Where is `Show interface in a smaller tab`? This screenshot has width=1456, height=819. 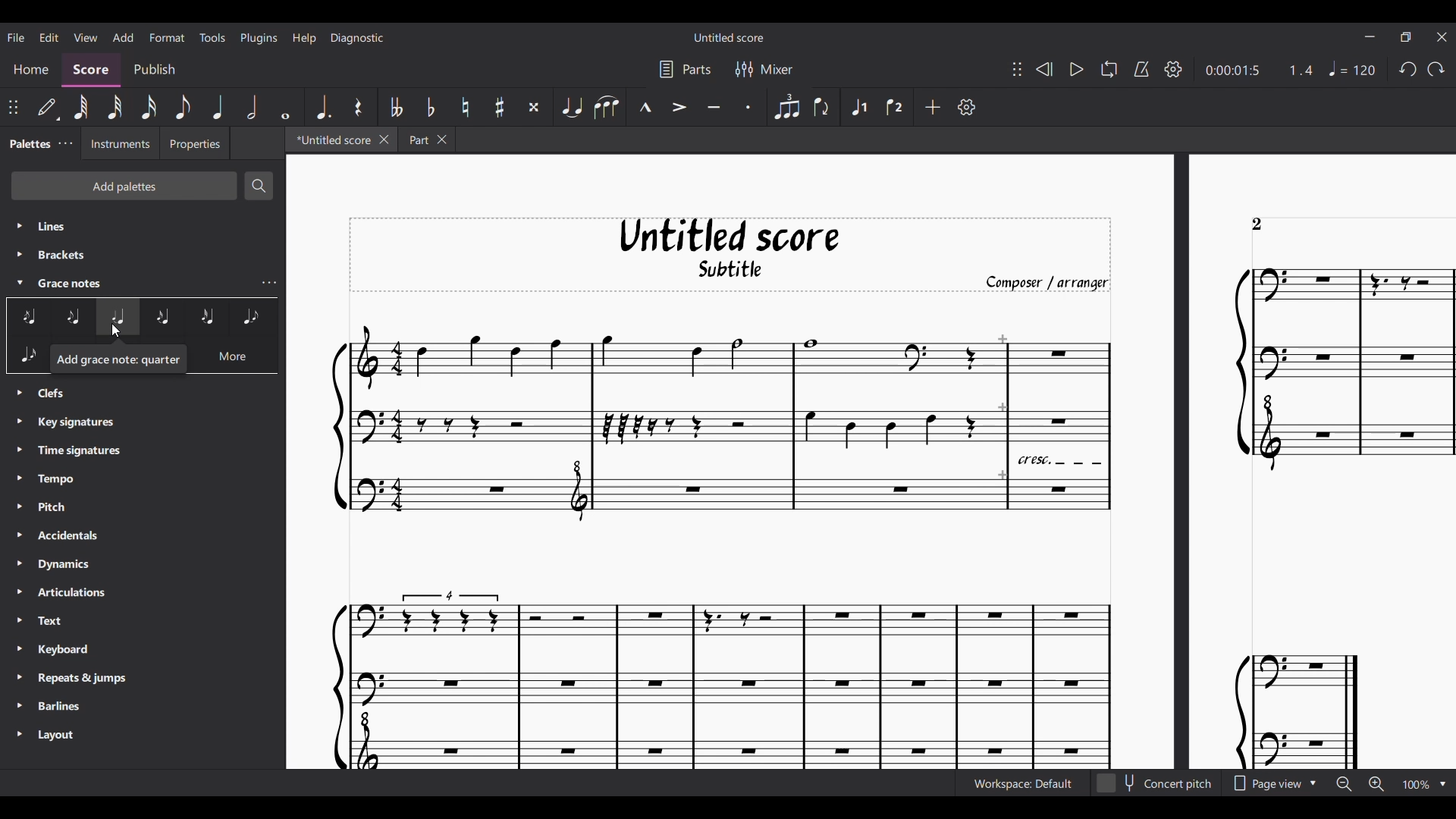 Show interface in a smaller tab is located at coordinates (1405, 37).